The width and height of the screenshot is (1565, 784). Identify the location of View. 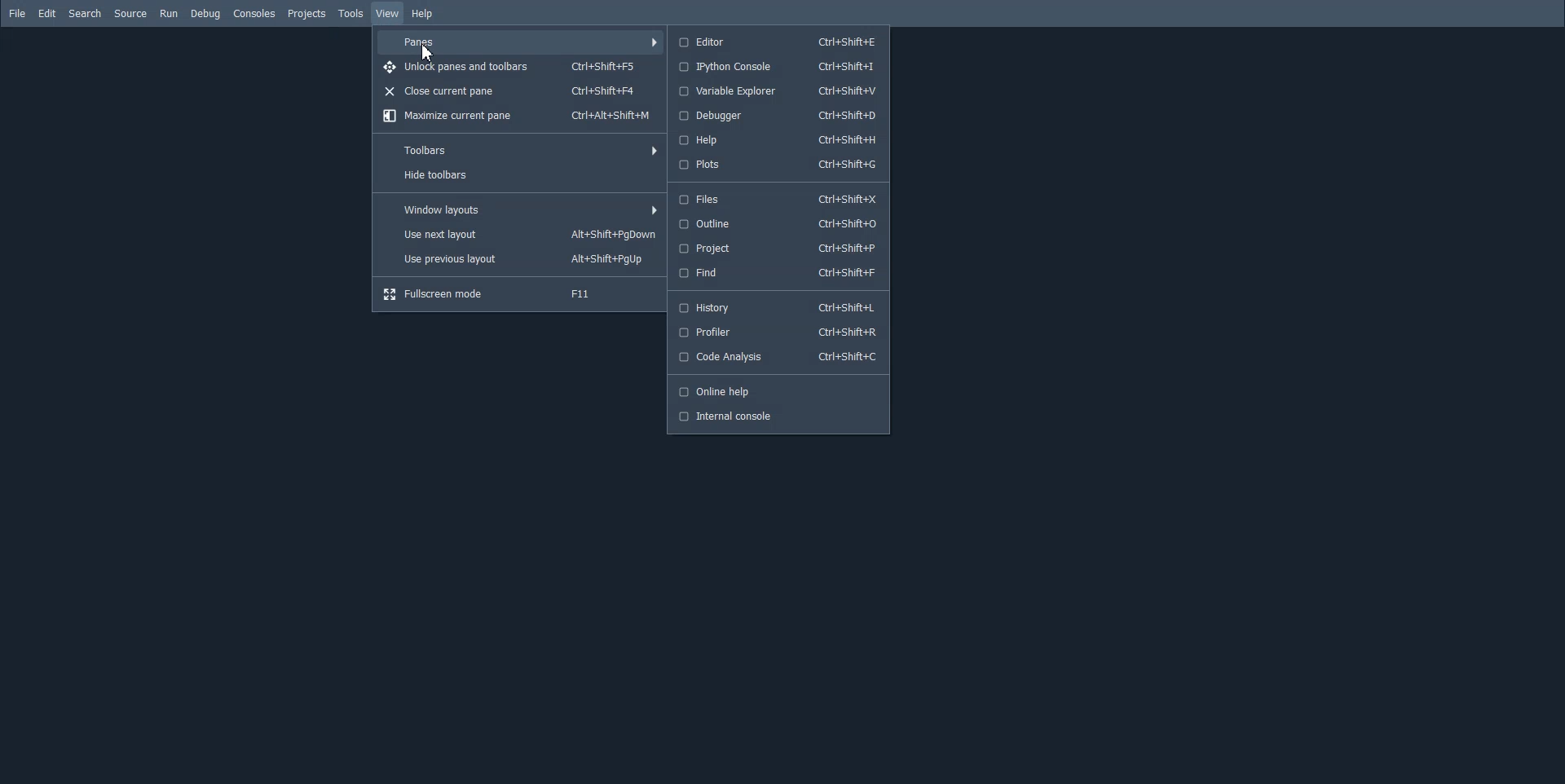
(388, 14).